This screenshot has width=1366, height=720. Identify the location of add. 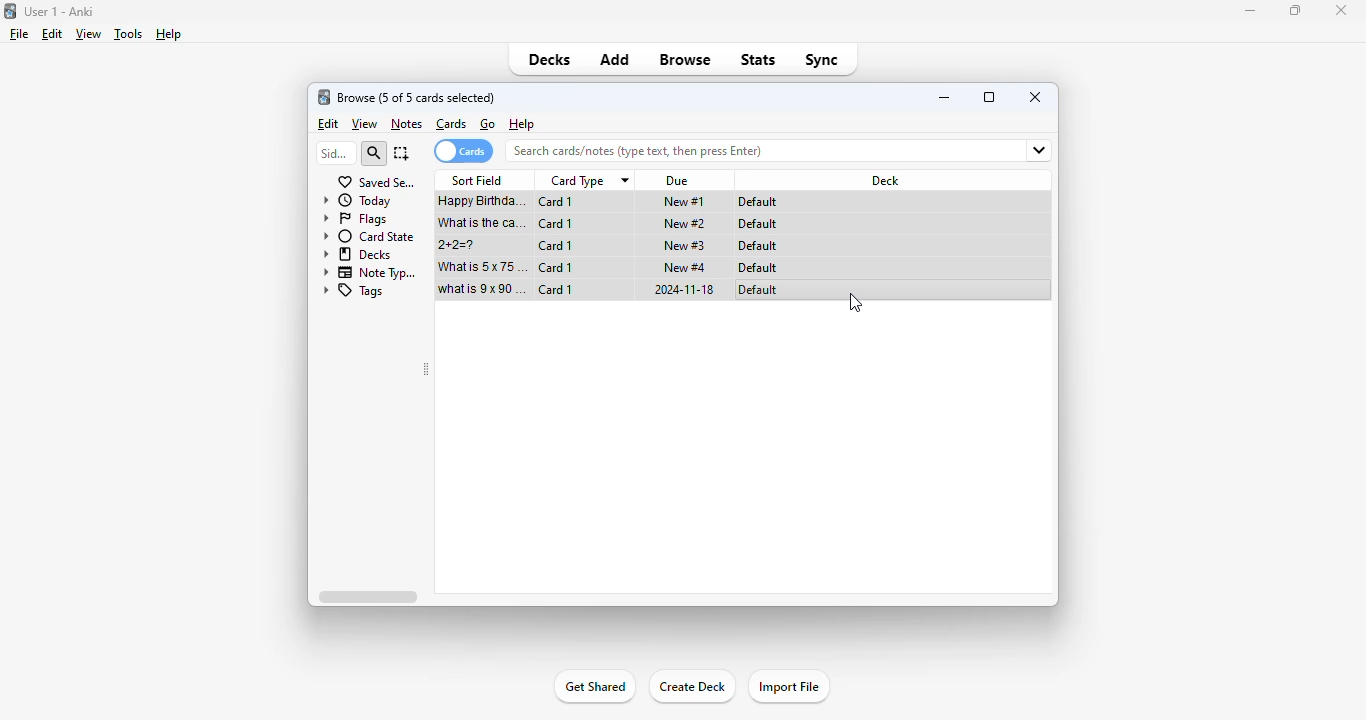
(616, 60).